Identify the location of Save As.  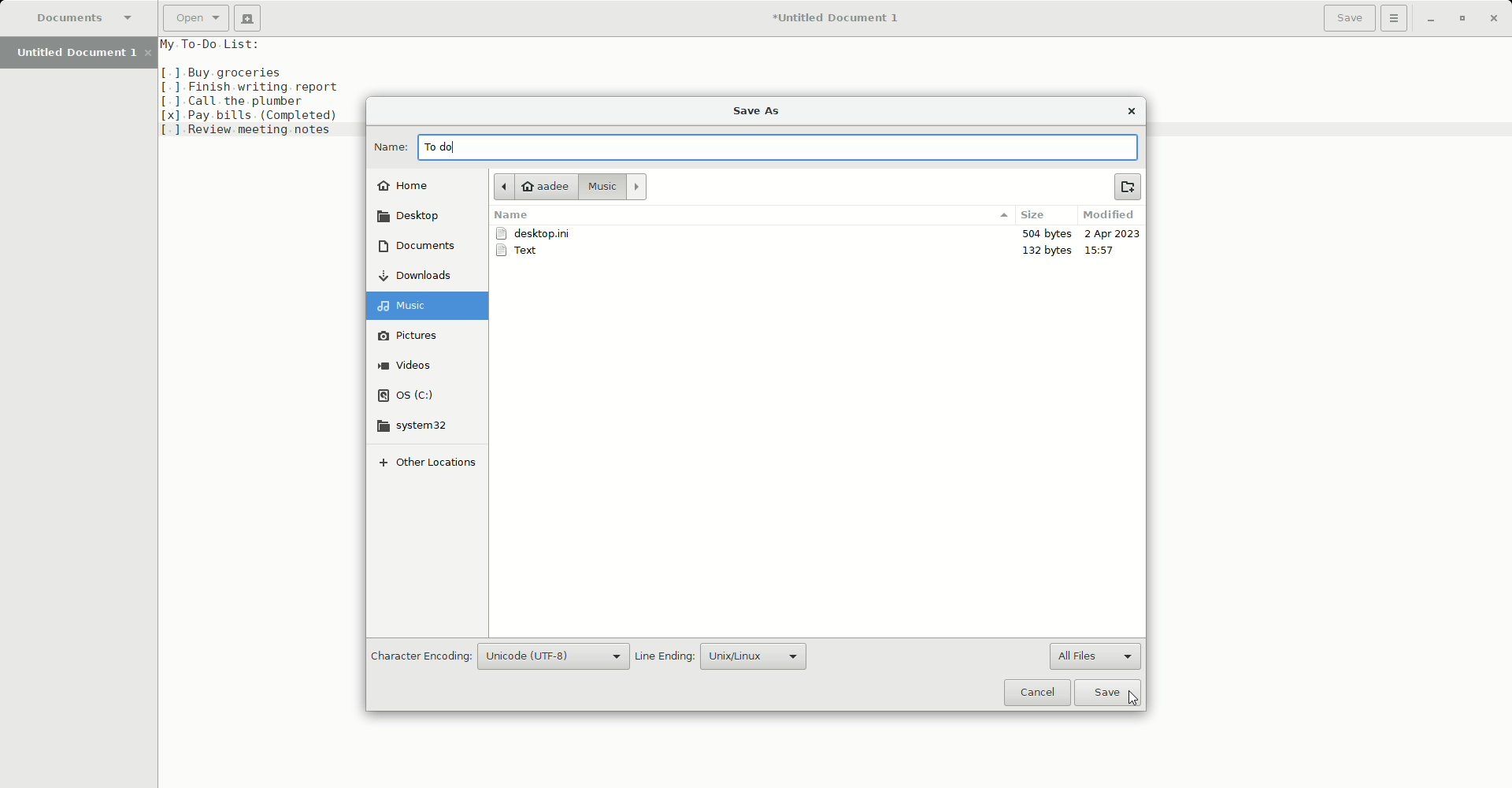
(758, 111).